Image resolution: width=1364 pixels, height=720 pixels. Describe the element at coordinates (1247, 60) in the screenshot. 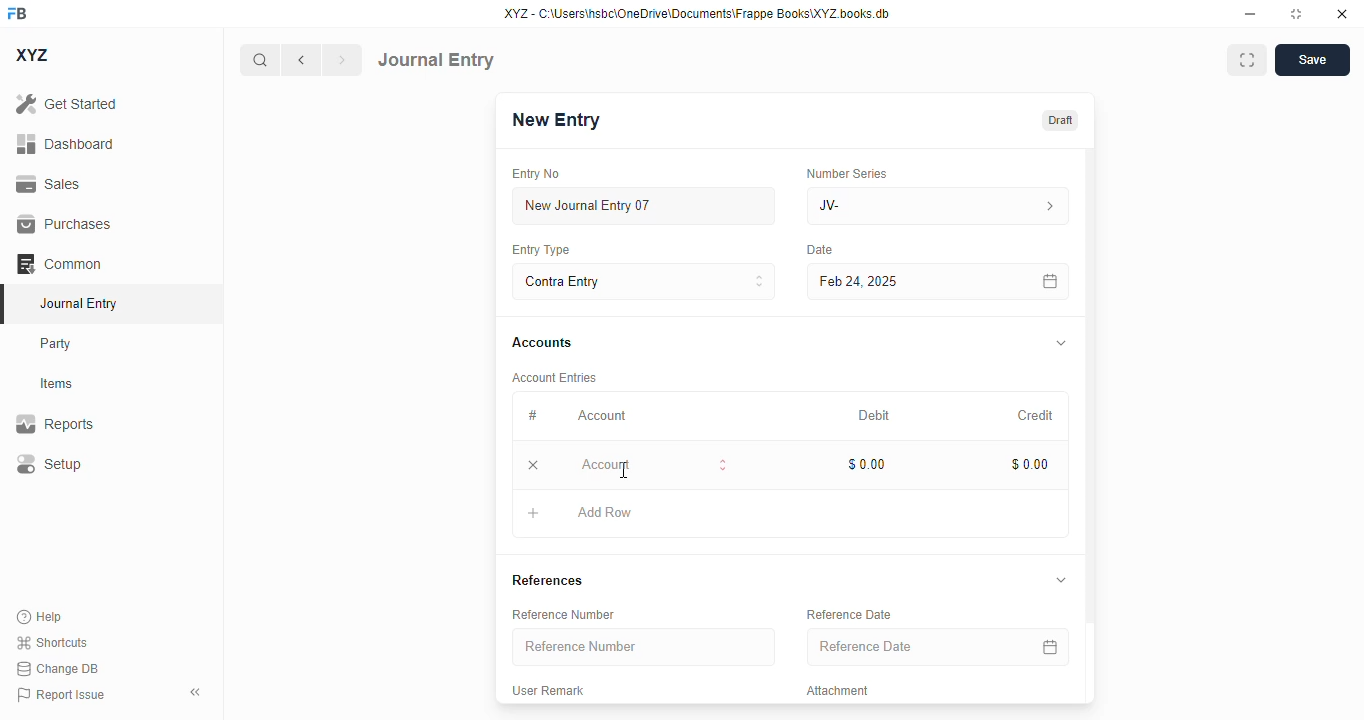

I see `maximise window` at that location.